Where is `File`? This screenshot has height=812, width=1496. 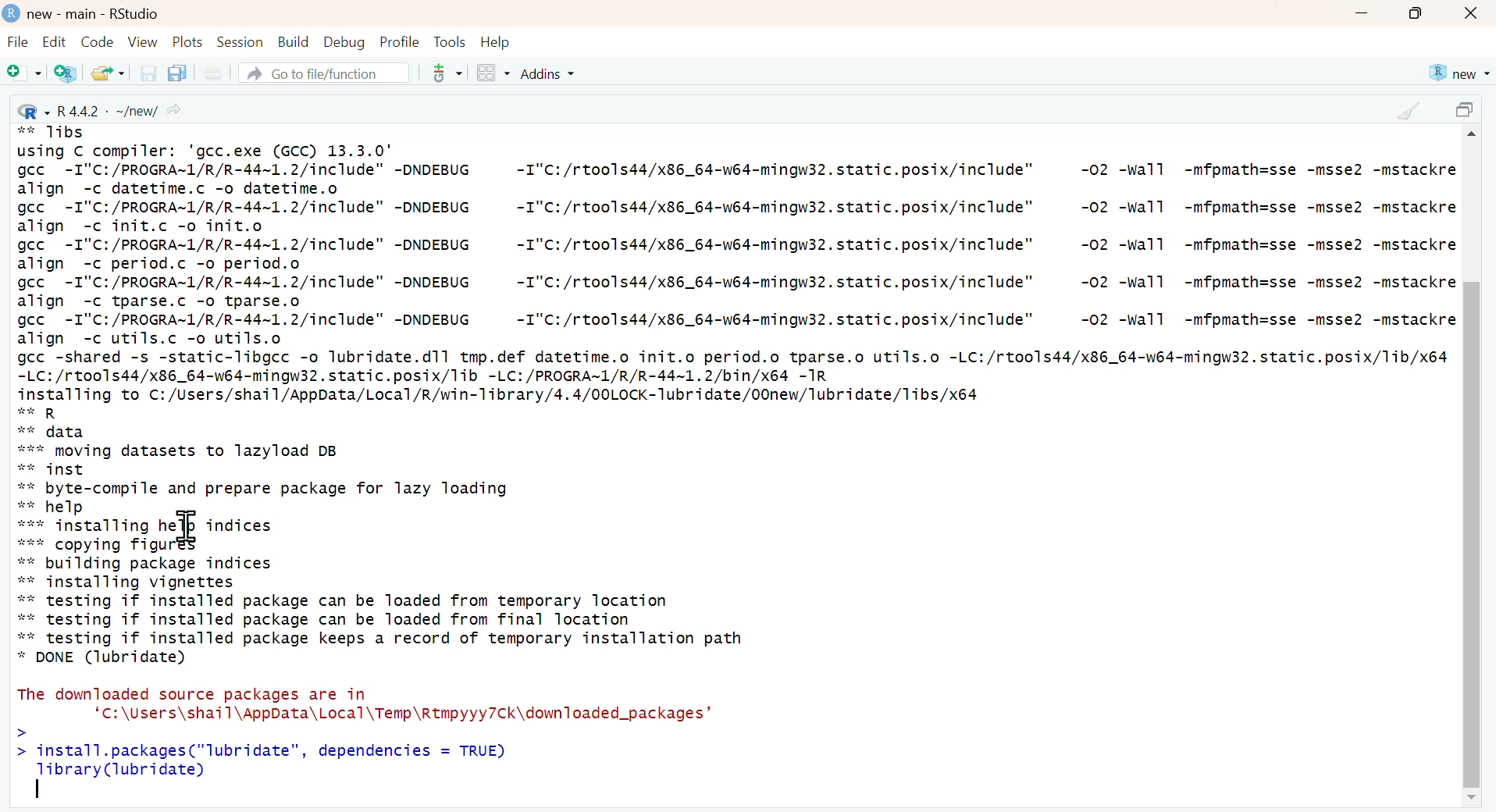 File is located at coordinates (18, 44).